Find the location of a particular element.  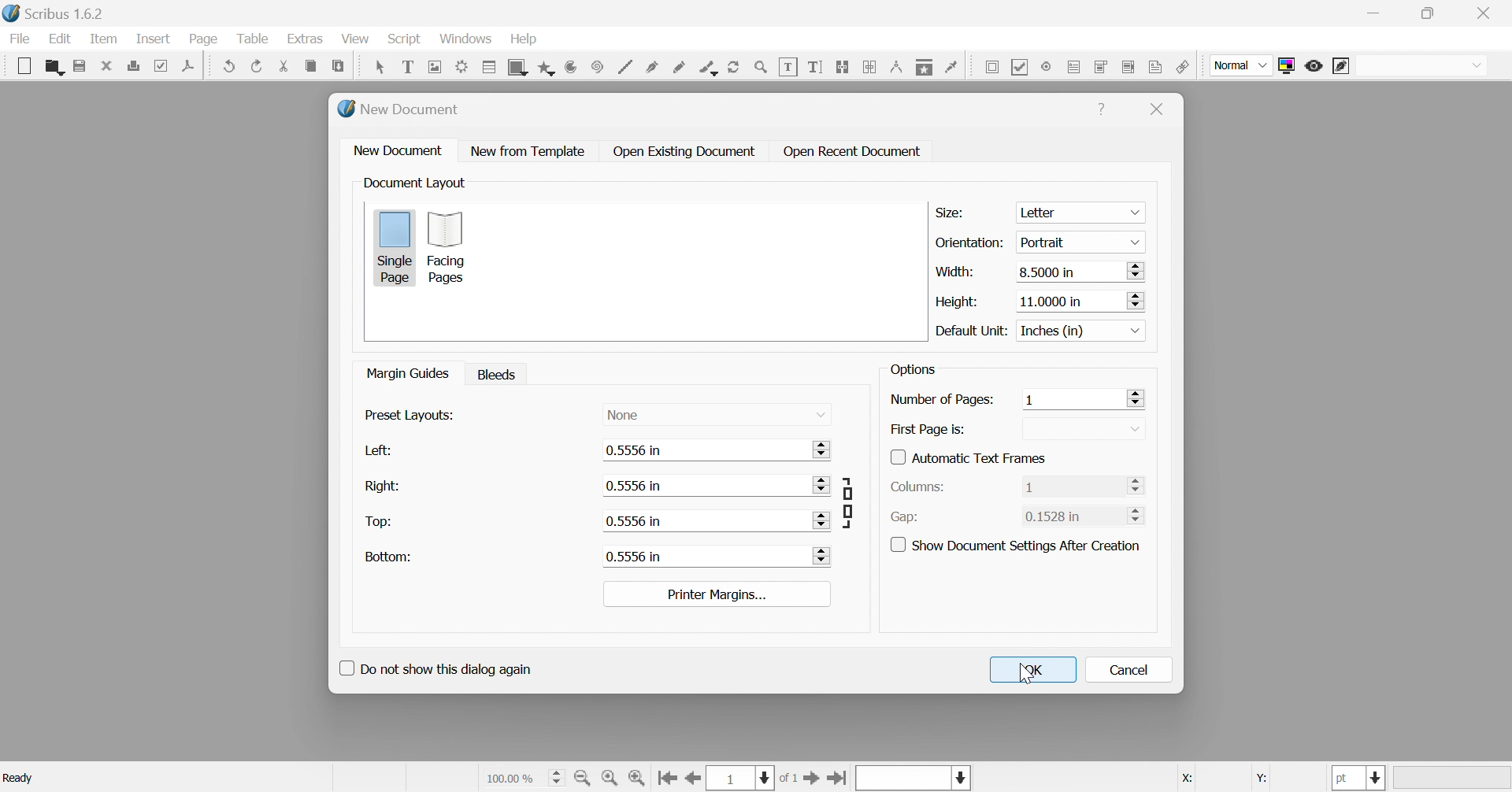

go to first page is located at coordinates (666, 776).